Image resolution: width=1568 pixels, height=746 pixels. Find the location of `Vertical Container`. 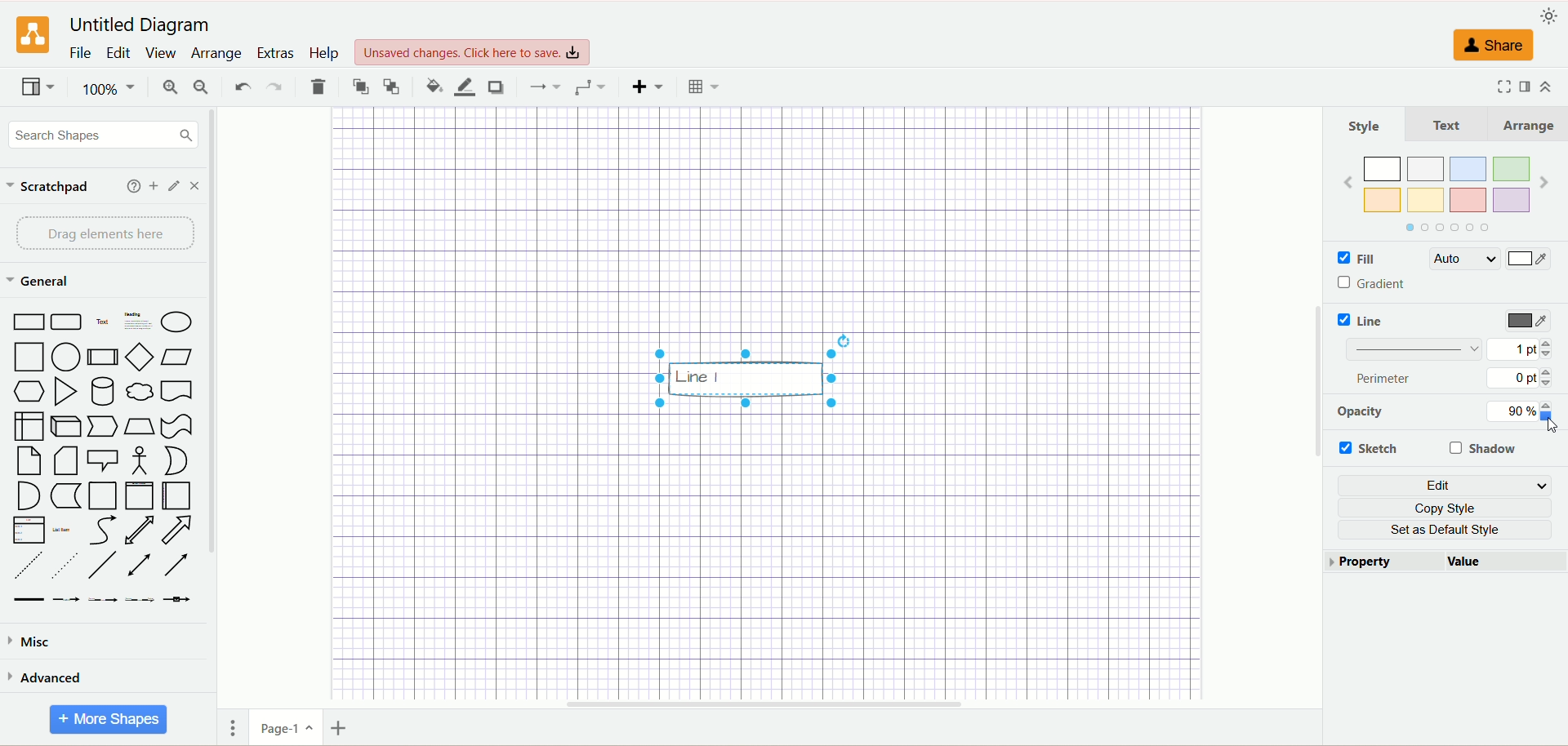

Vertical Container is located at coordinates (140, 496).